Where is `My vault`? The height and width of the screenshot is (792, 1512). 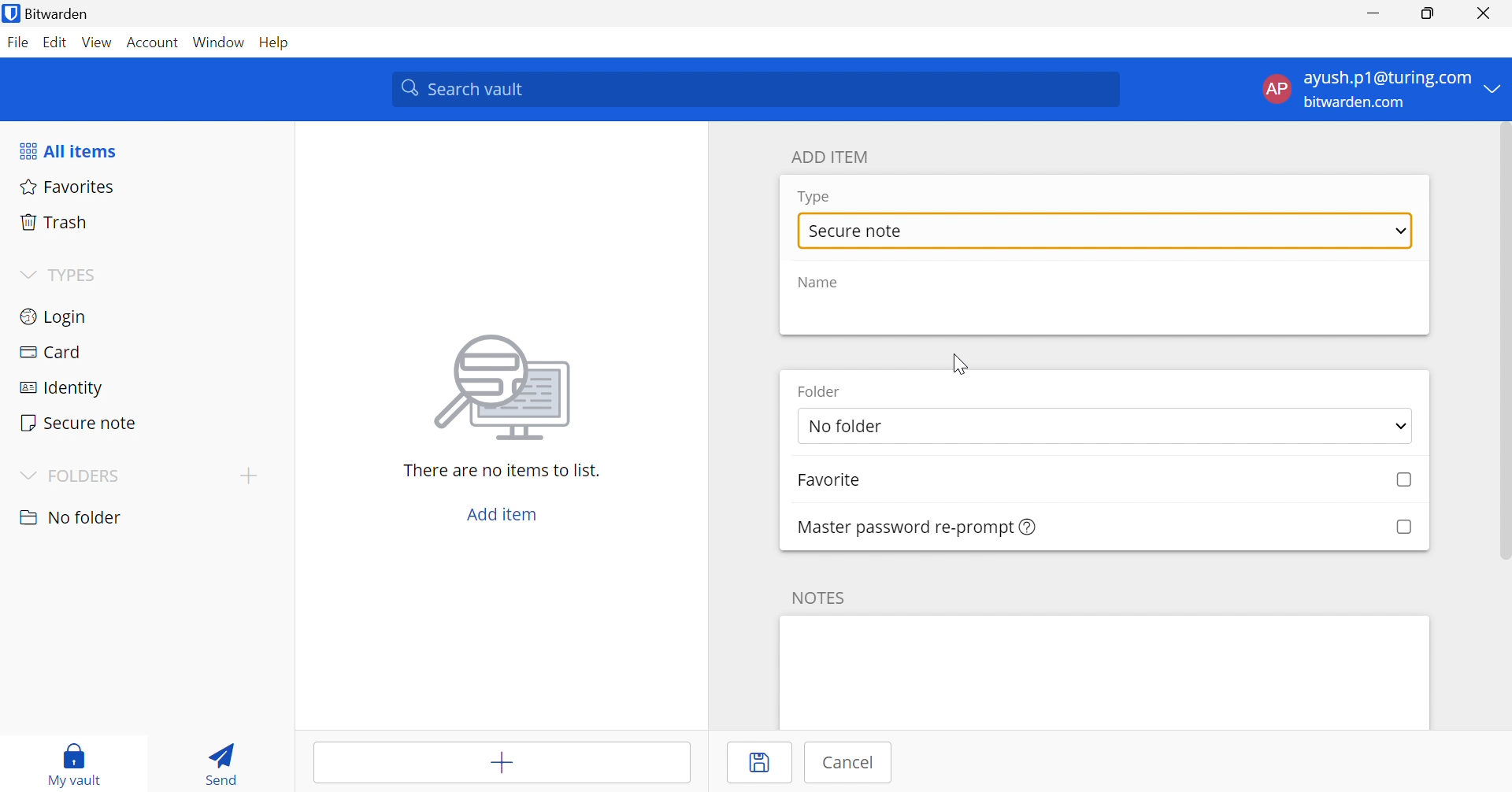
My vault is located at coordinates (76, 764).